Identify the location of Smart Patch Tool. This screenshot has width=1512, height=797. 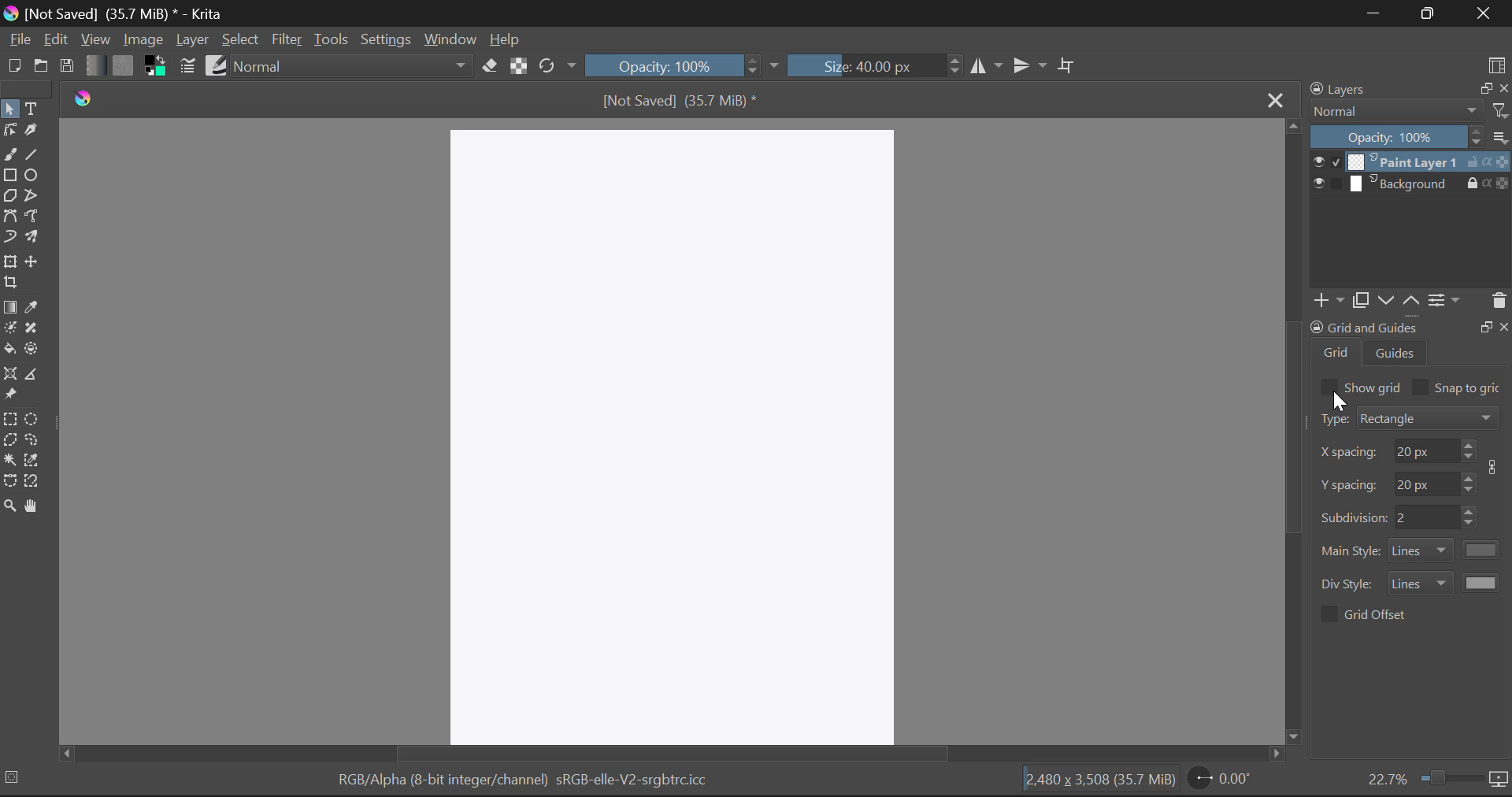
(31, 329).